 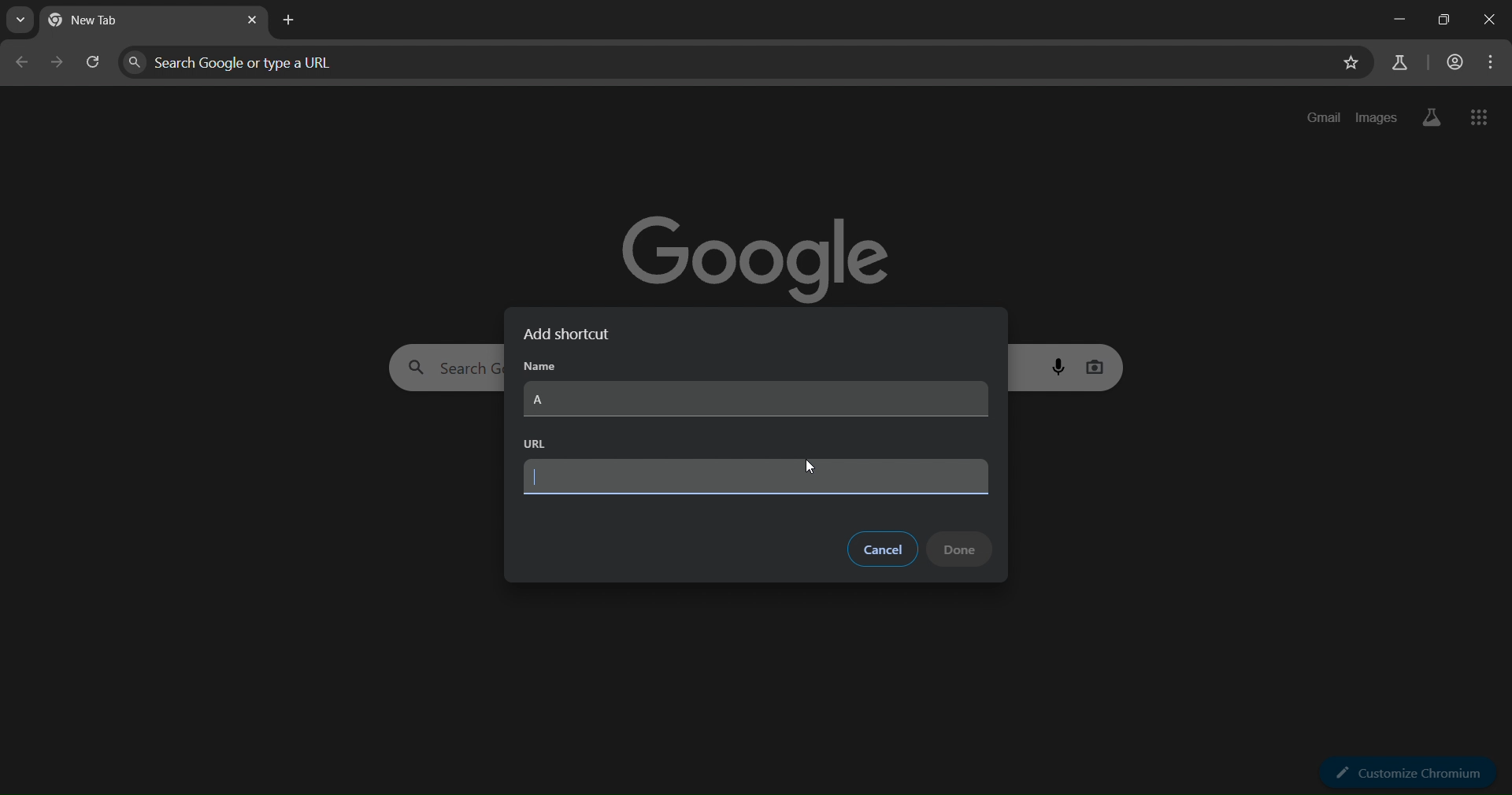 What do you see at coordinates (726, 62) in the screenshot?
I see `search google or type a URL` at bounding box center [726, 62].